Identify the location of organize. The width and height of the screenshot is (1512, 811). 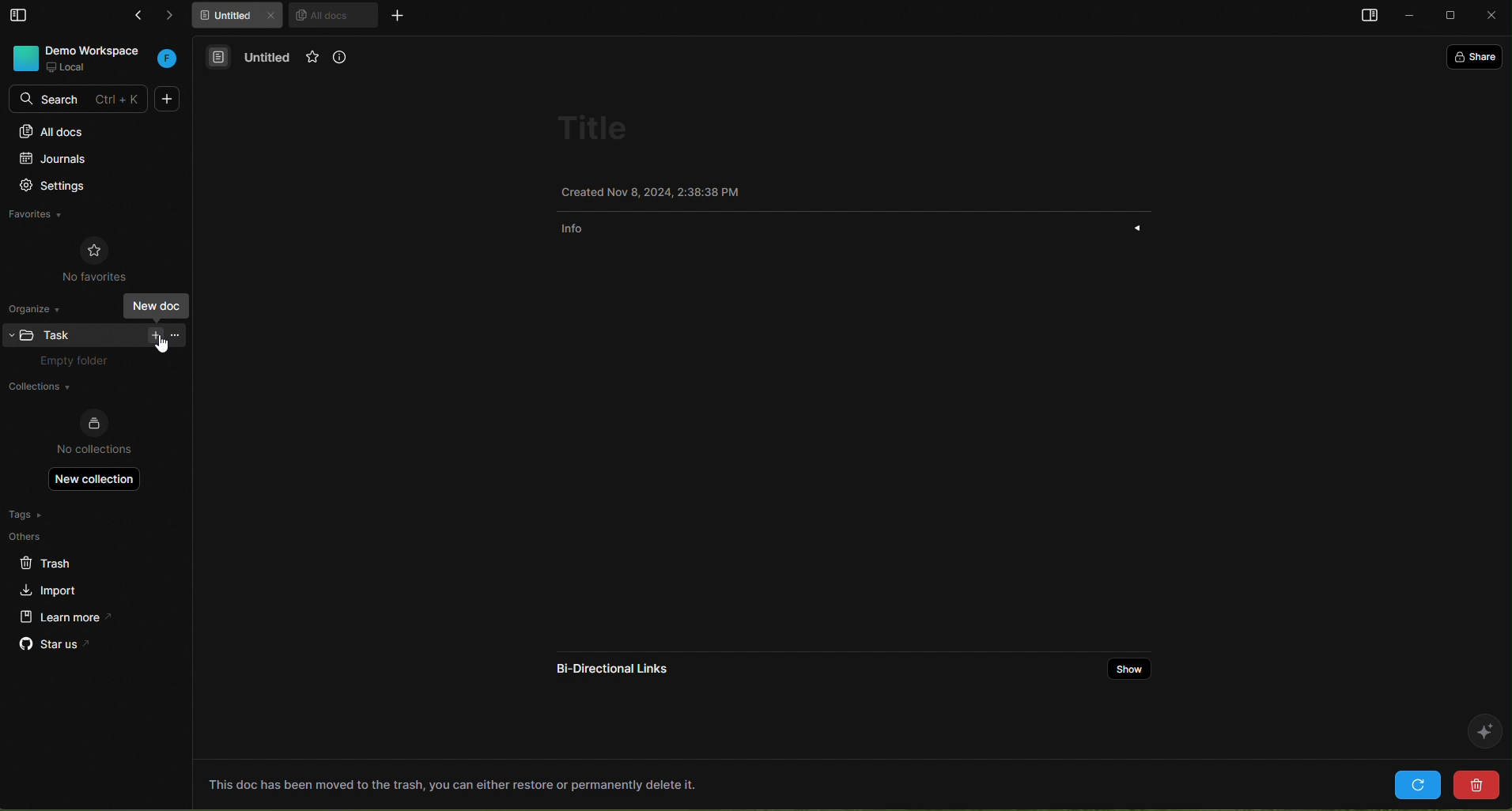
(40, 307).